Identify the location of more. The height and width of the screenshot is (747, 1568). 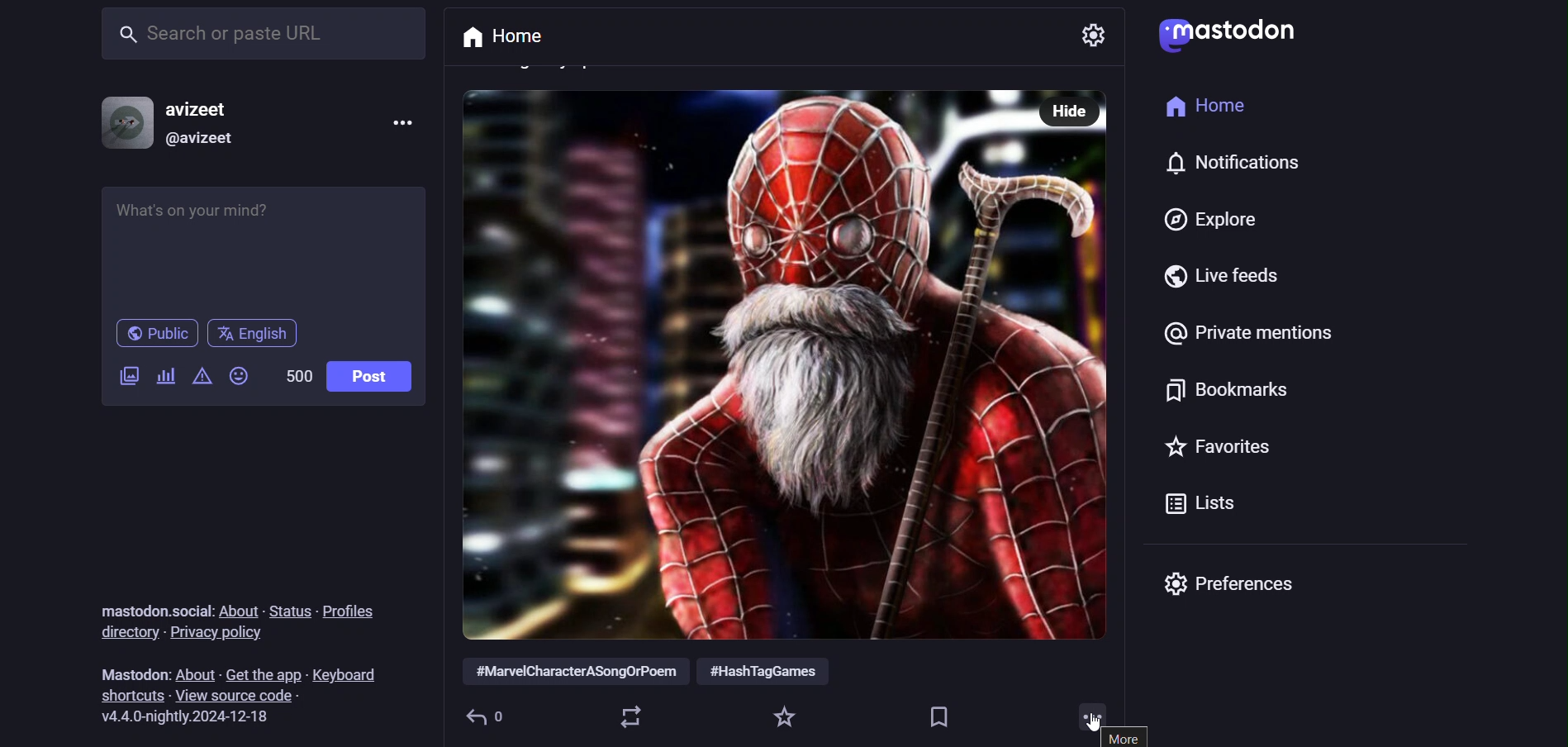
(1088, 721).